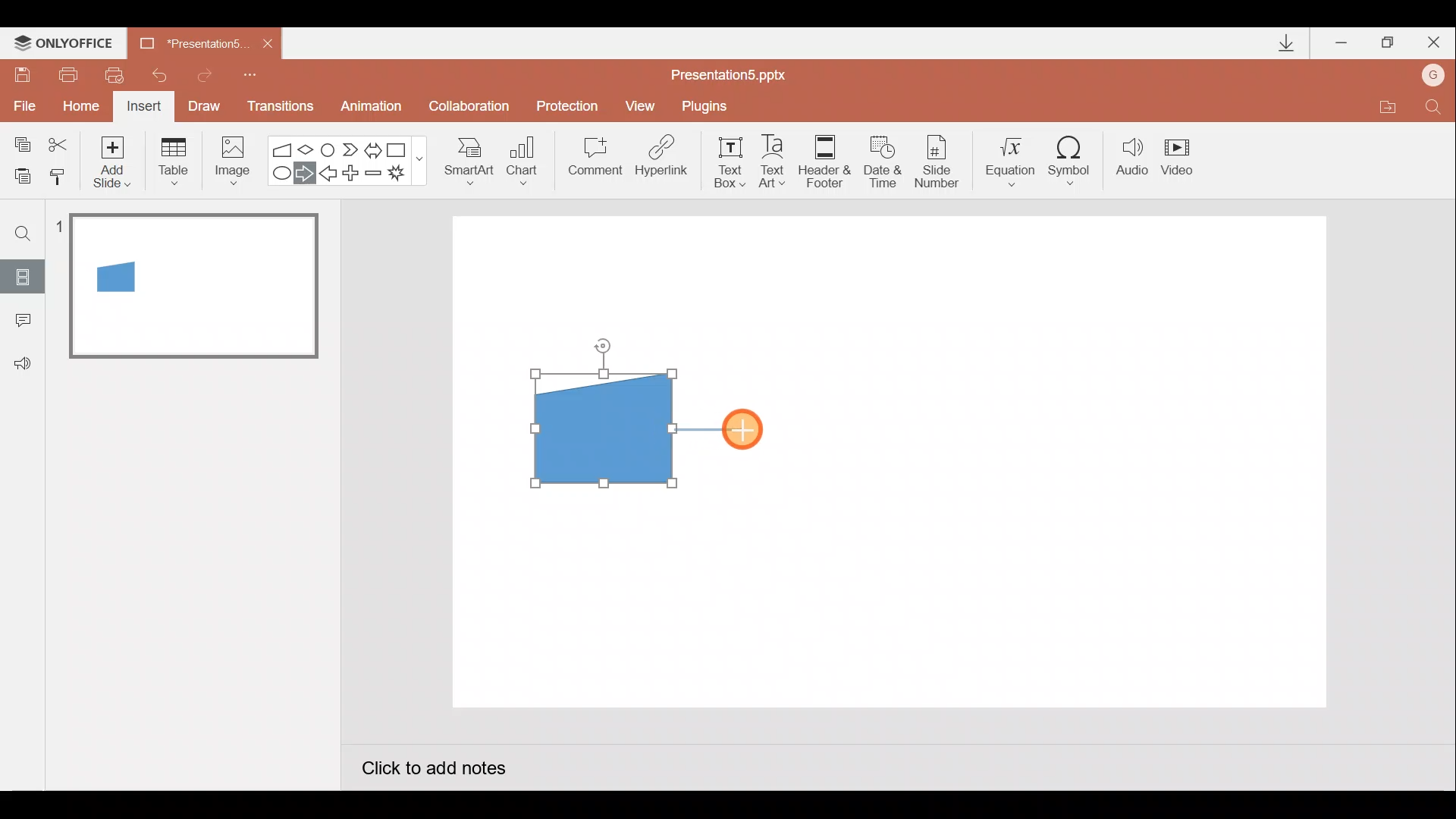  Describe the element at coordinates (600, 426) in the screenshot. I see `Manual input flow chart ` at that location.